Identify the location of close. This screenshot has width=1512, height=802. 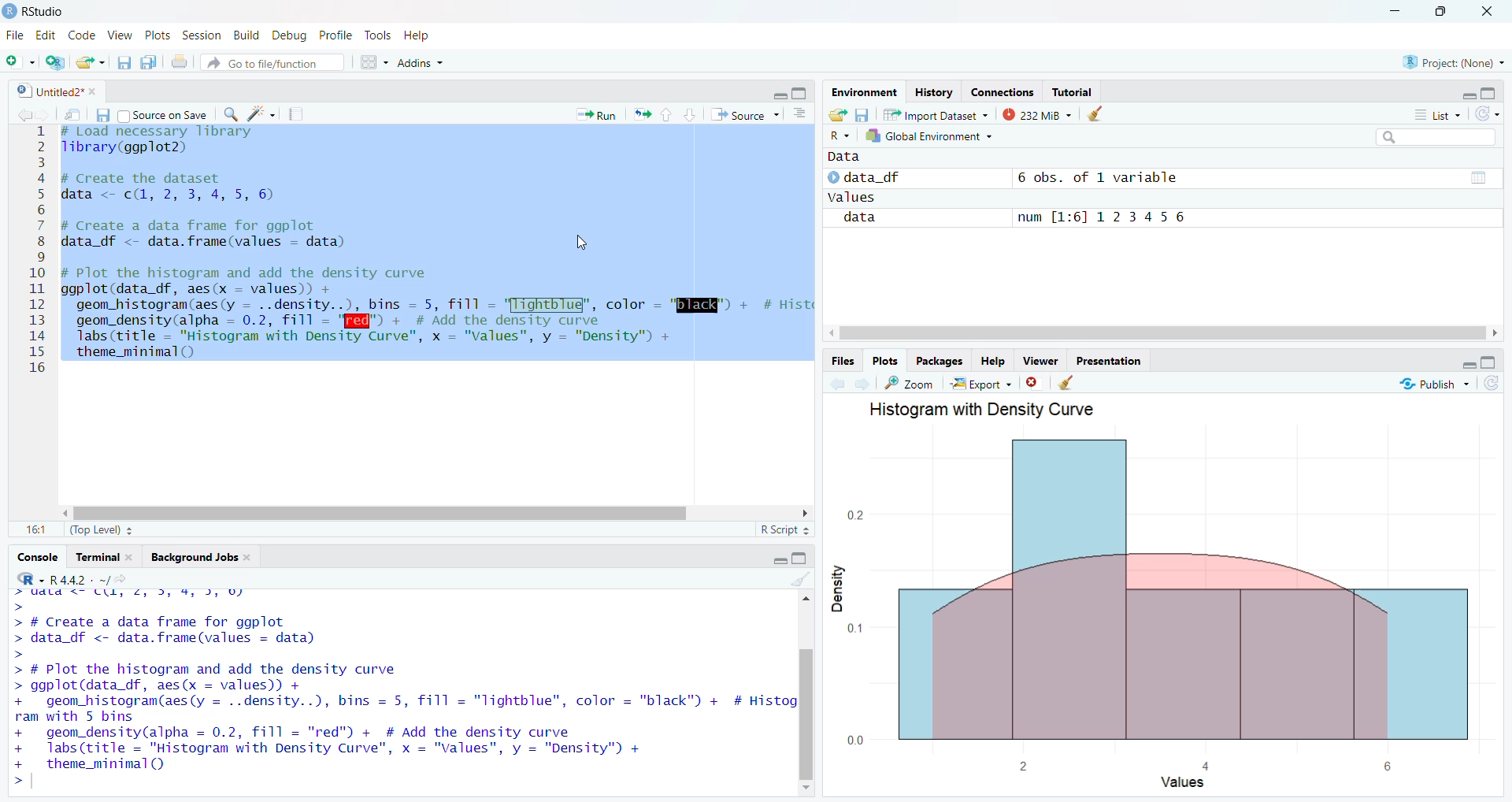
(95, 89).